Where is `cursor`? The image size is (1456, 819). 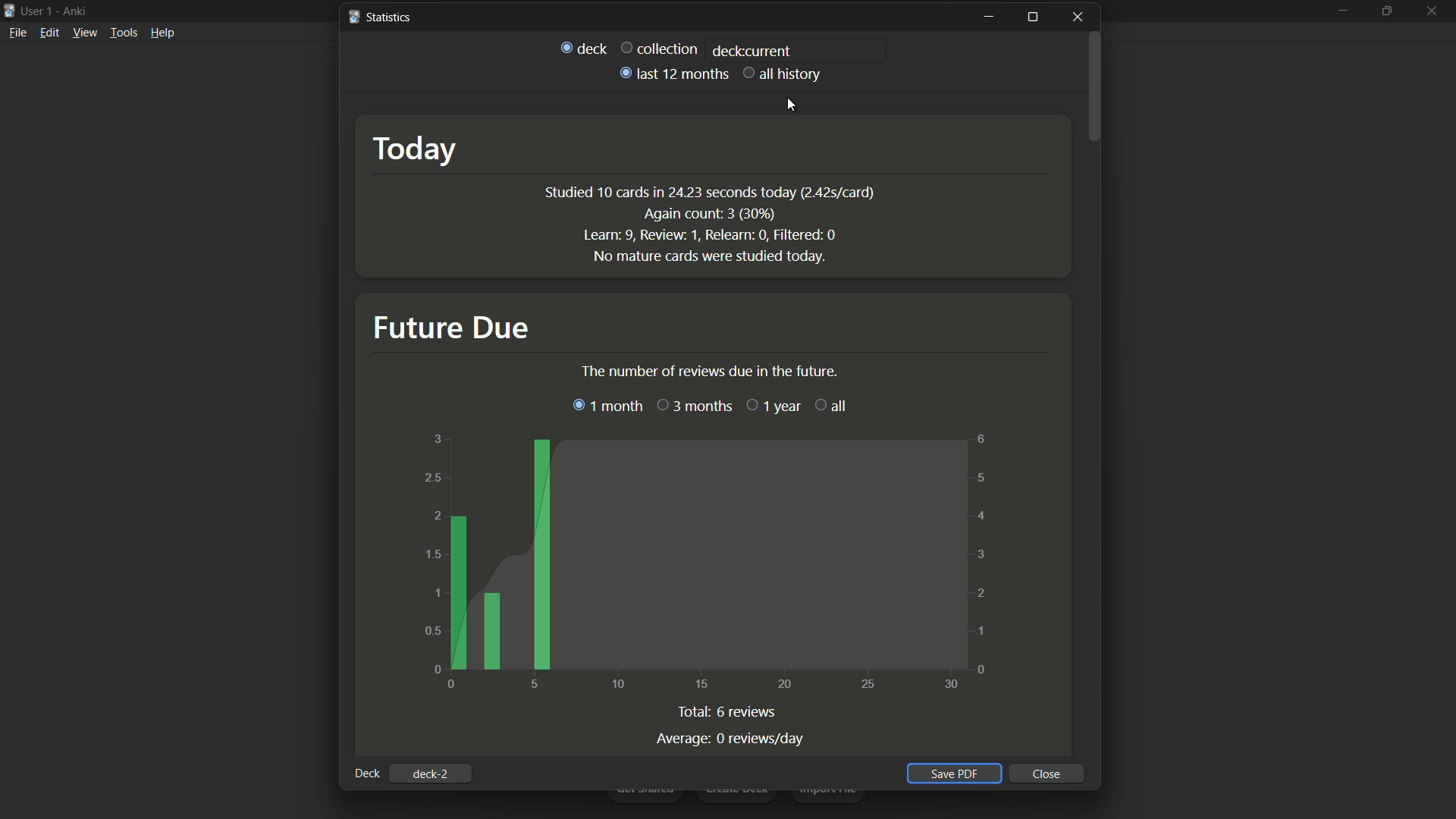 cursor is located at coordinates (794, 102).